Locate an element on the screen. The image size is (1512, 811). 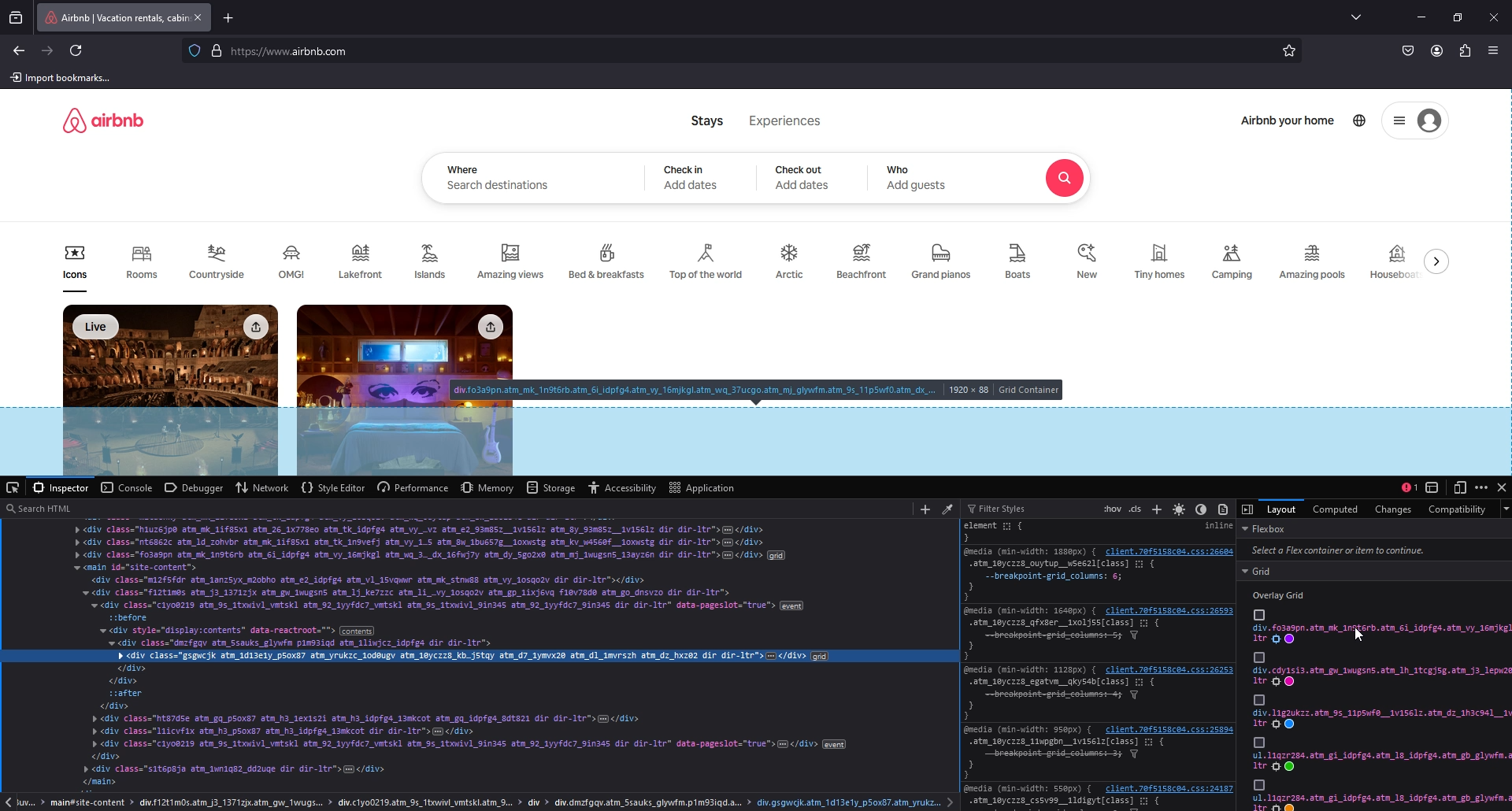
list all tabs is located at coordinates (1359, 16).